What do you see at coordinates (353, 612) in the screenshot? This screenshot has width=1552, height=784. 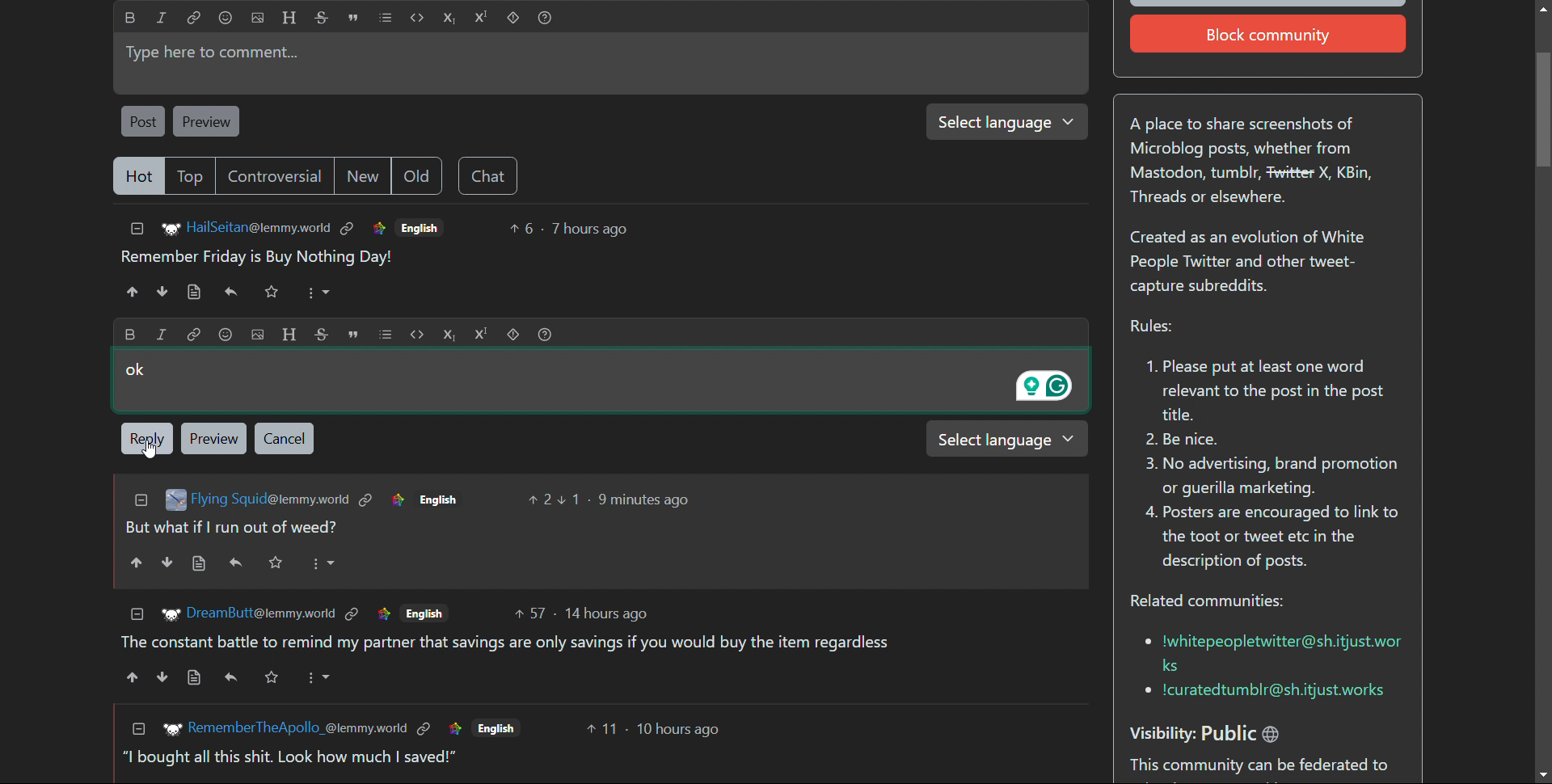 I see `link` at bounding box center [353, 612].